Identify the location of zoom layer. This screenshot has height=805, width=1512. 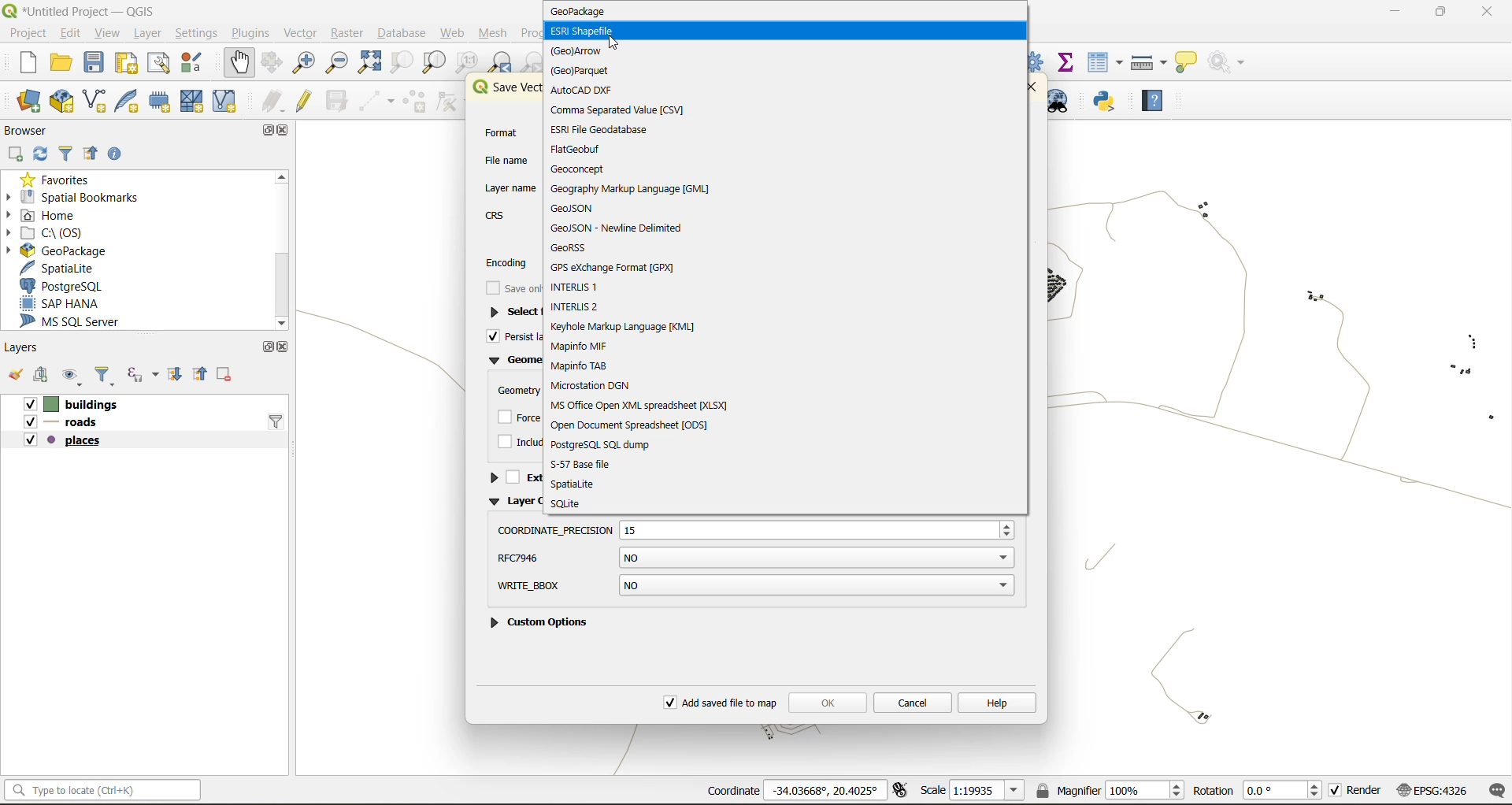
(434, 62).